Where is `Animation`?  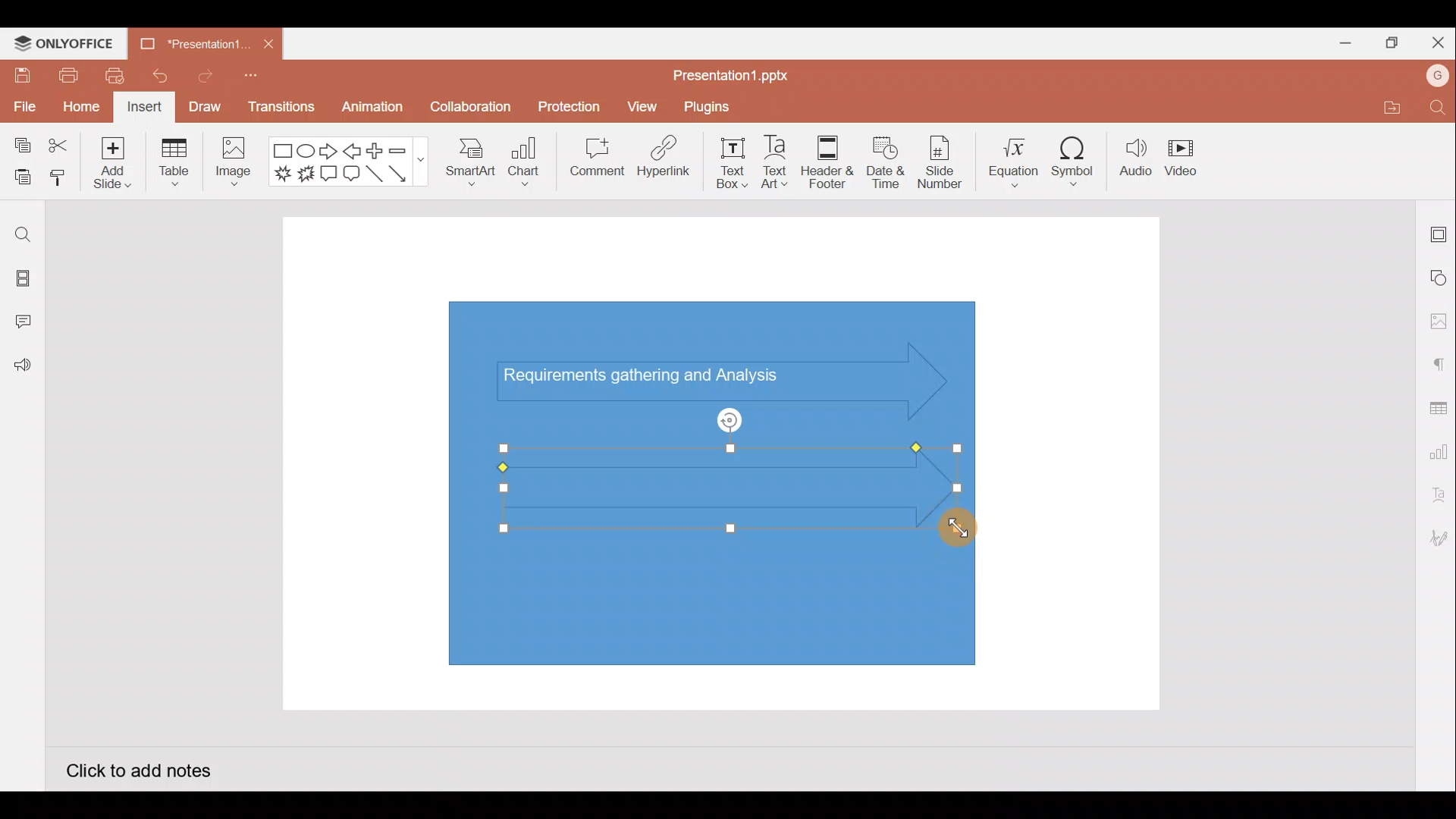 Animation is located at coordinates (374, 111).